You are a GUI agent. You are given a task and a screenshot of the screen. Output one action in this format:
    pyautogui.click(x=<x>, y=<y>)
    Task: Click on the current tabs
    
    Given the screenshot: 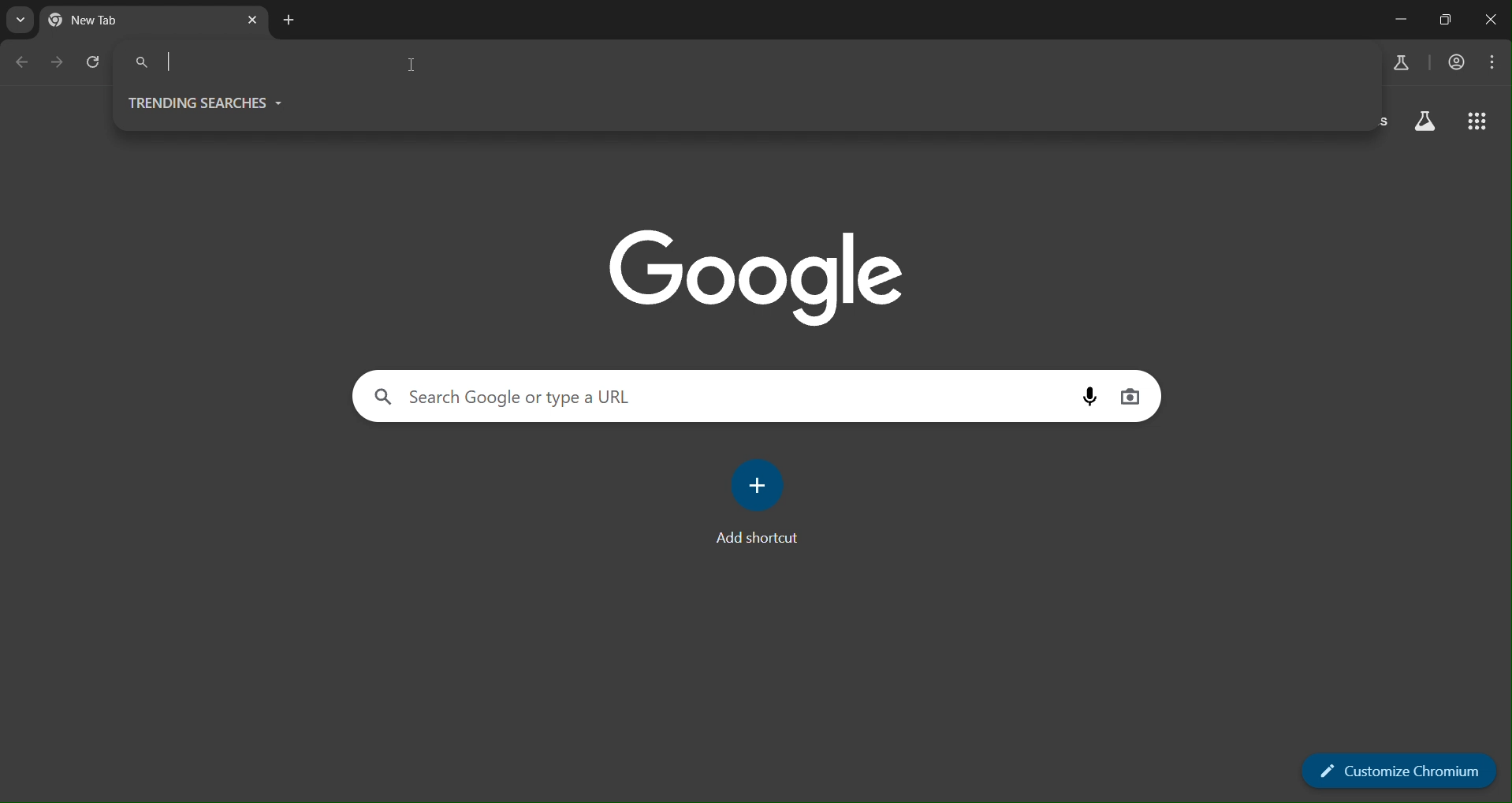 What is the action you would take?
    pyautogui.click(x=120, y=21)
    